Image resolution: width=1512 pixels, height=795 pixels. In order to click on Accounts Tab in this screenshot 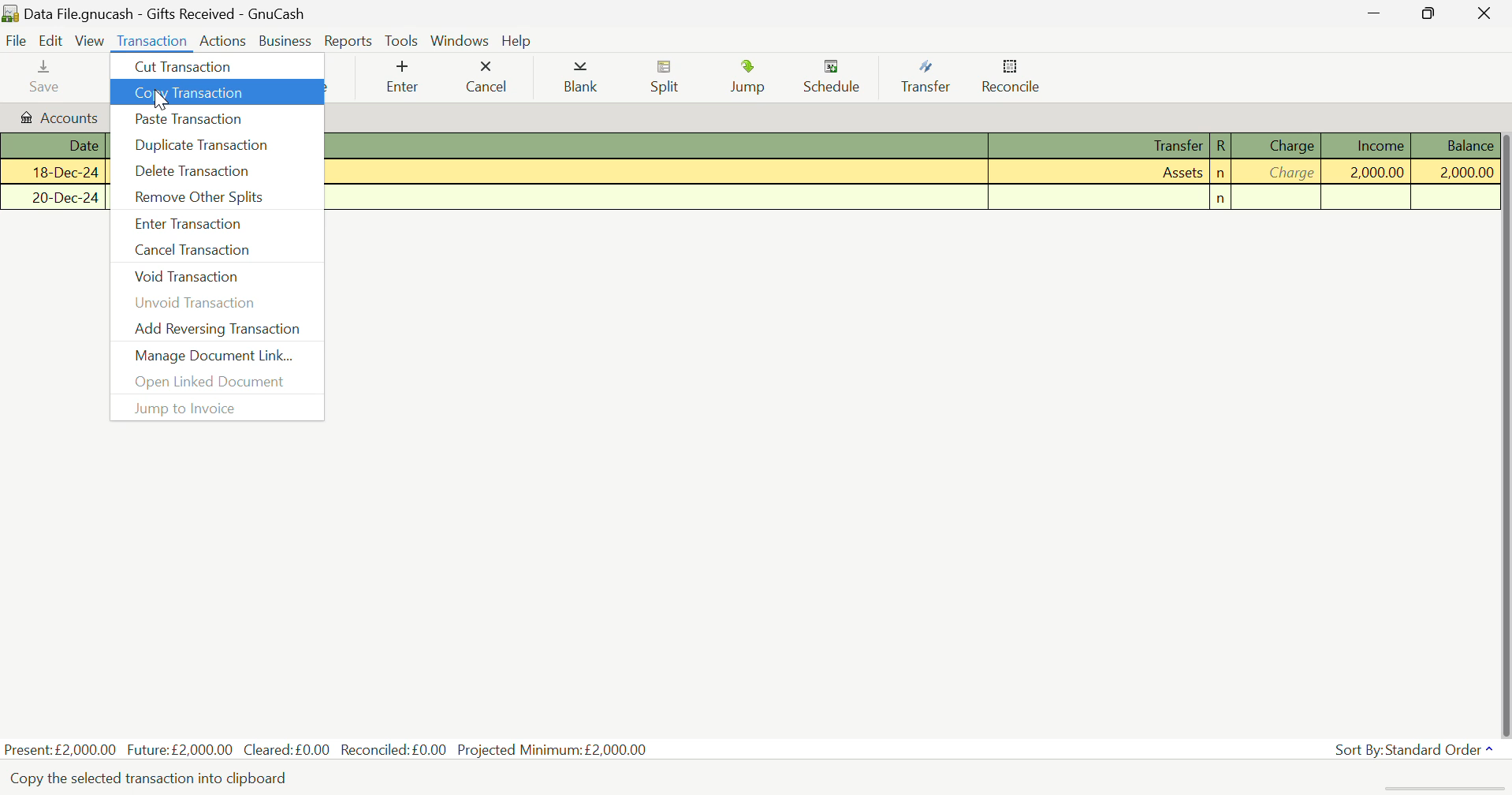, I will do `click(56, 118)`.